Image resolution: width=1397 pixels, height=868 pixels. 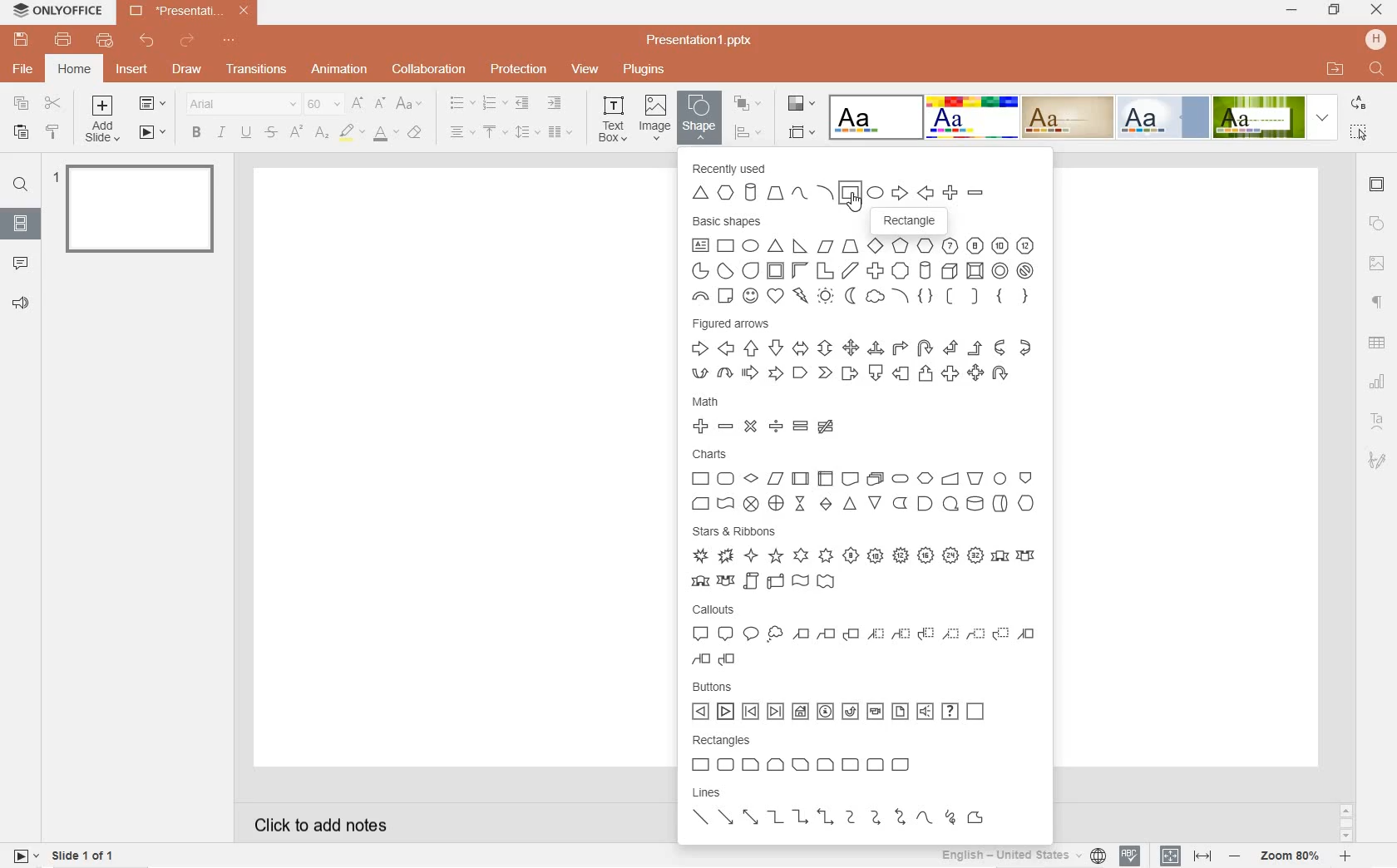 What do you see at coordinates (802, 428) in the screenshot?
I see `Equal` at bounding box center [802, 428].